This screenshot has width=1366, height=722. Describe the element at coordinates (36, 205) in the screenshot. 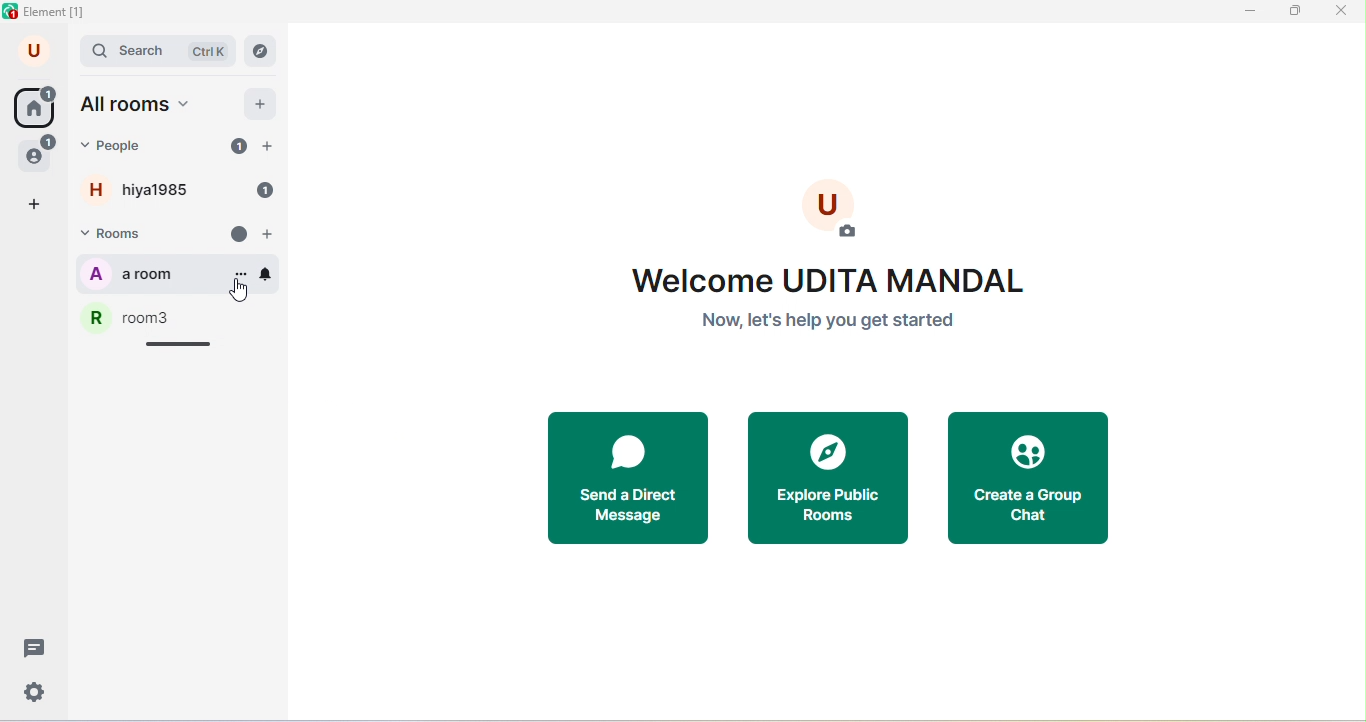

I see `add space` at that location.